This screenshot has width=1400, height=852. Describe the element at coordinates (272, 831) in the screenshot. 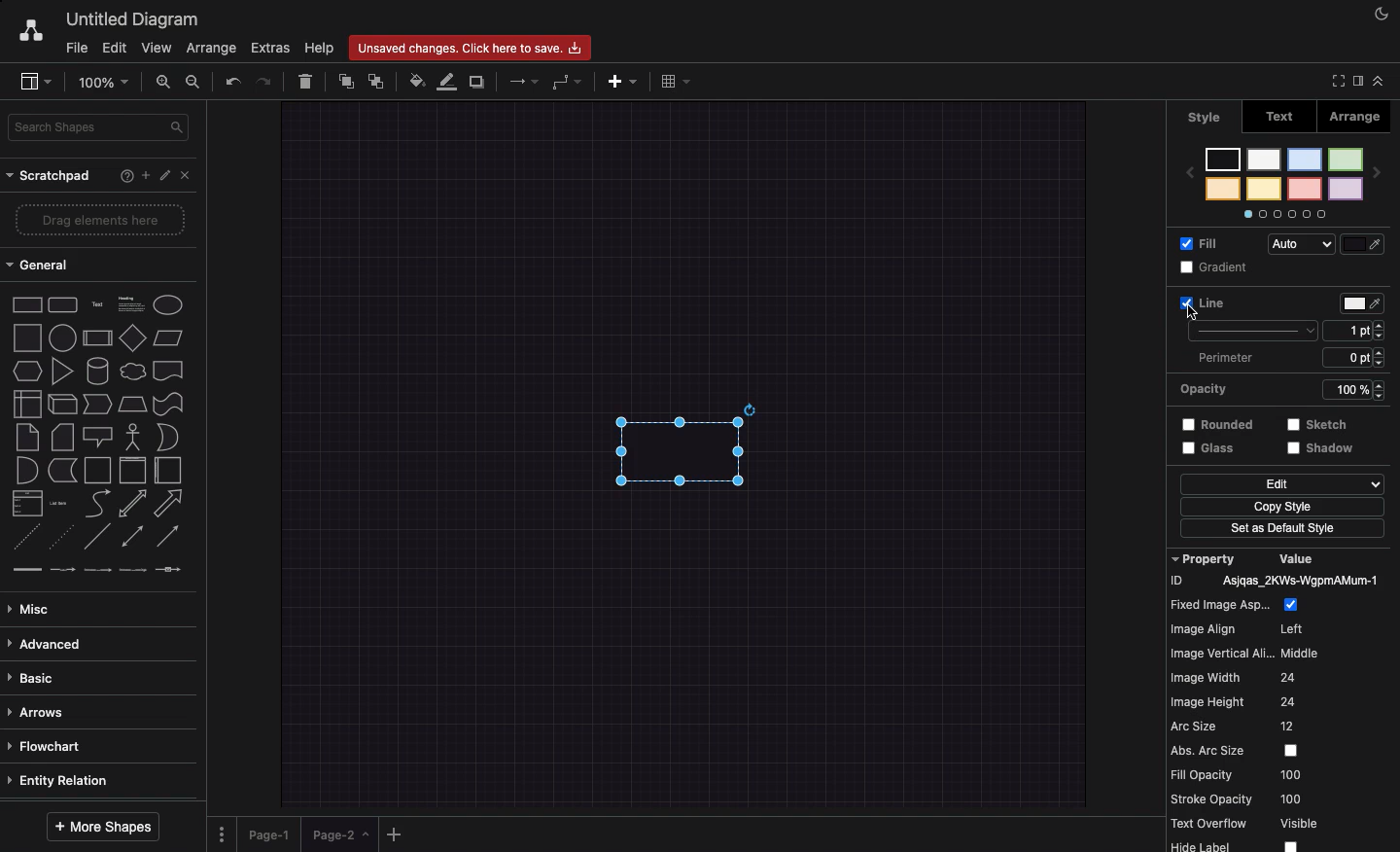

I see `Page 1` at that location.